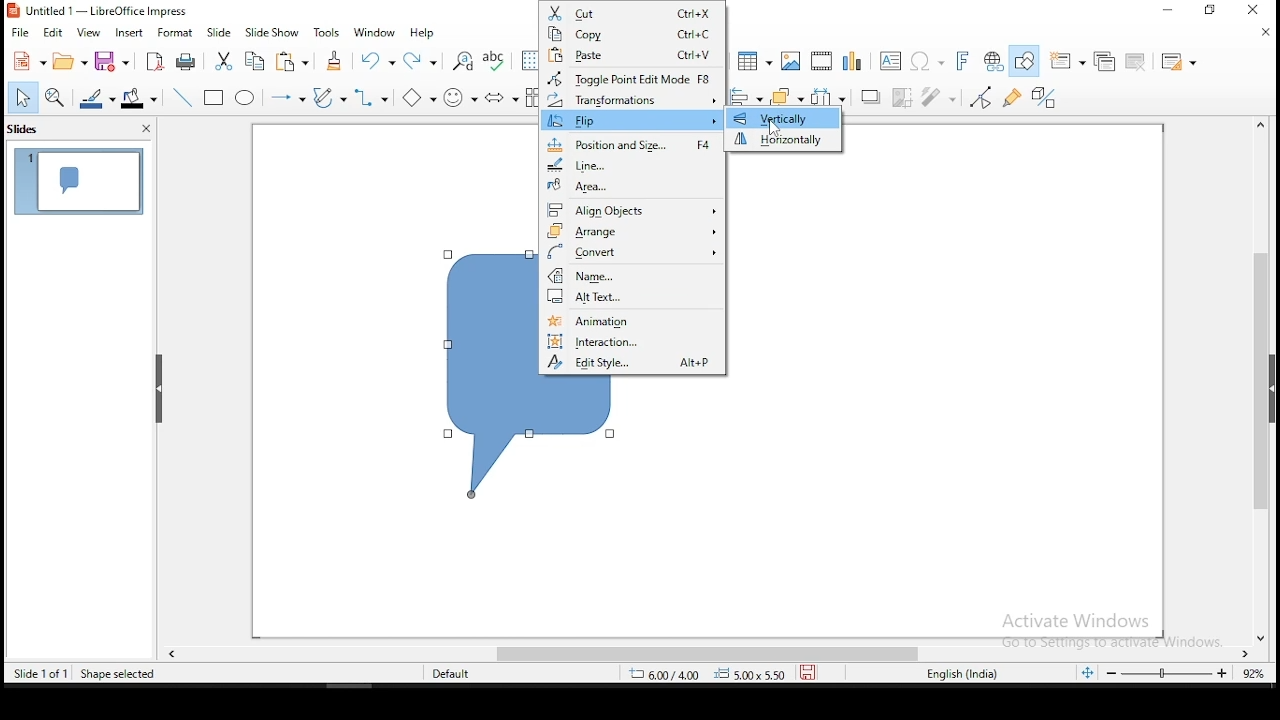 This screenshot has width=1280, height=720. What do you see at coordinates (453, 674) in the screenshot?
I see `default` at bounding box center [453, 674].